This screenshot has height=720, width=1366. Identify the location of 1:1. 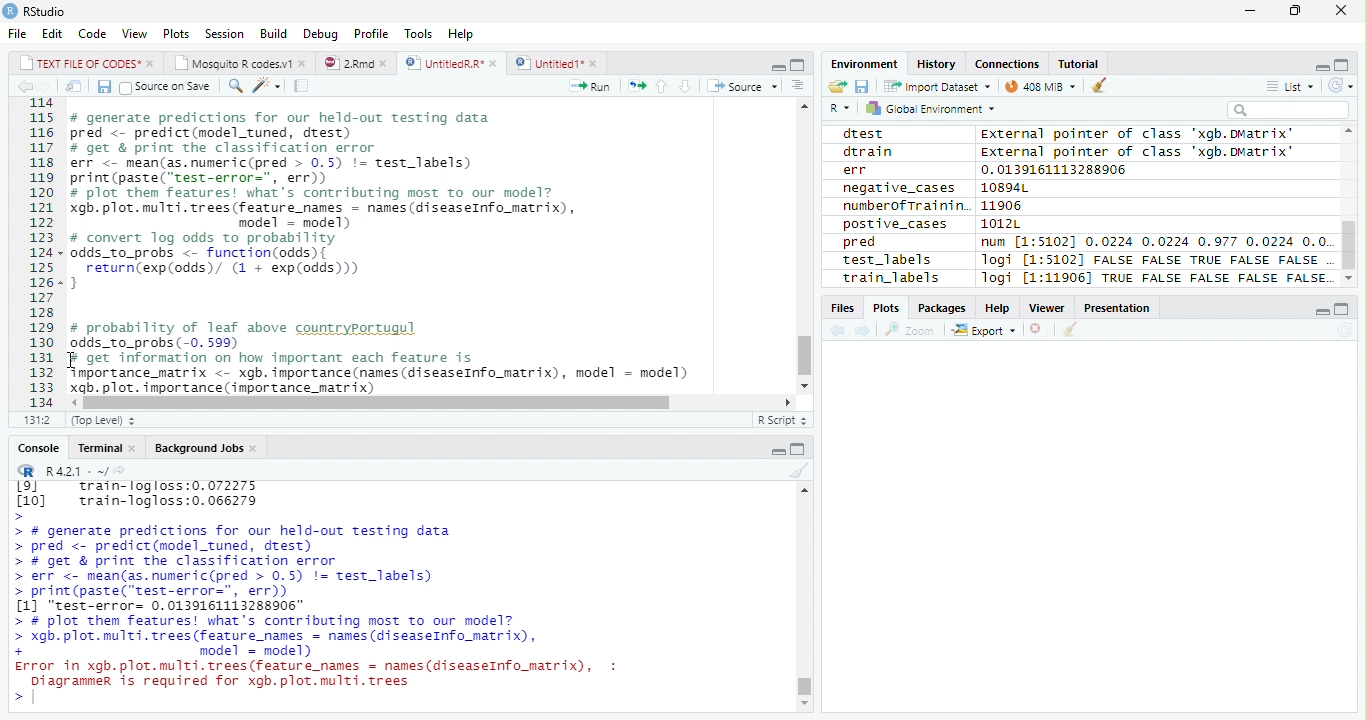
(38, 419).